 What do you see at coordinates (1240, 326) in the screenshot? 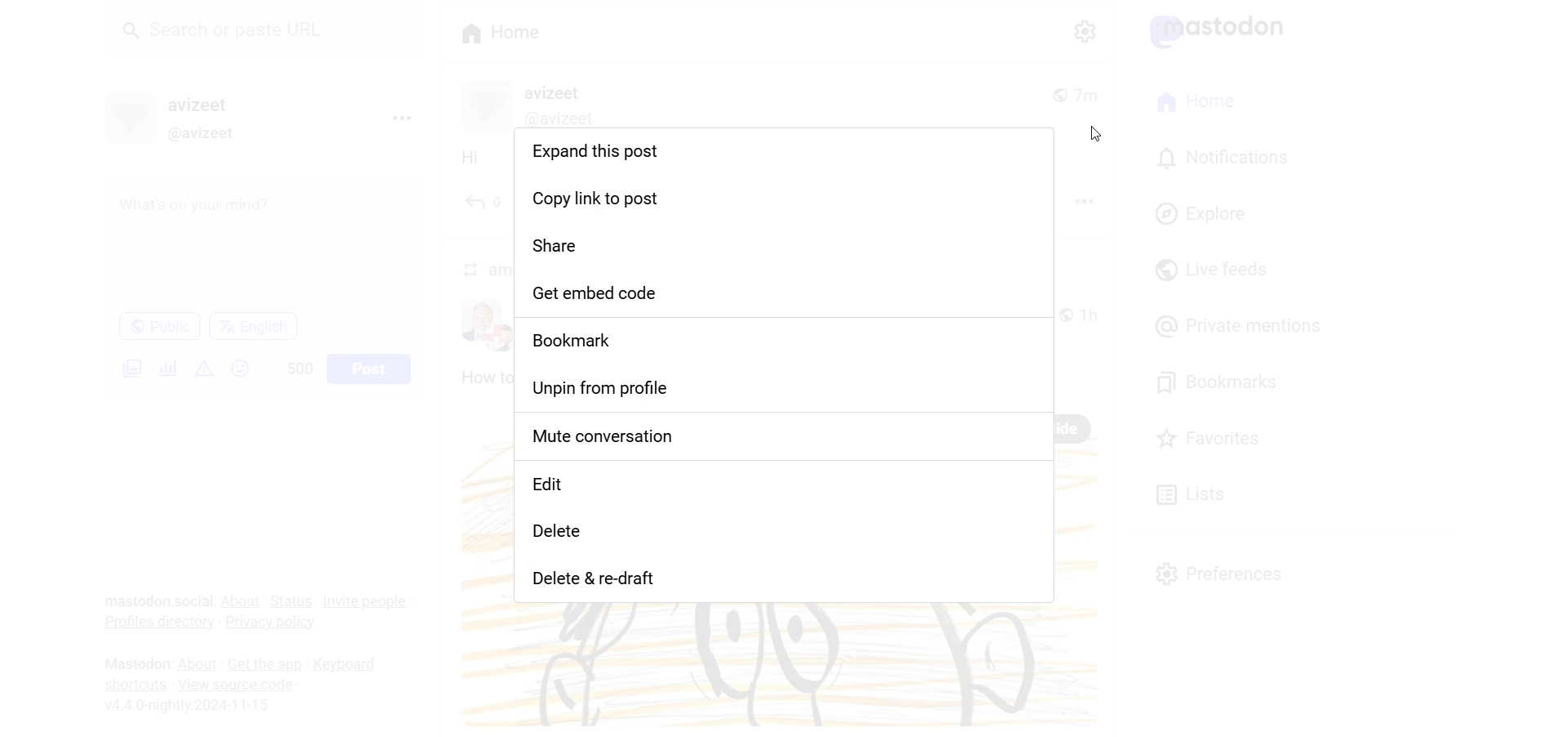
I see `Private Mentions` at bounding box center [1240, 326].